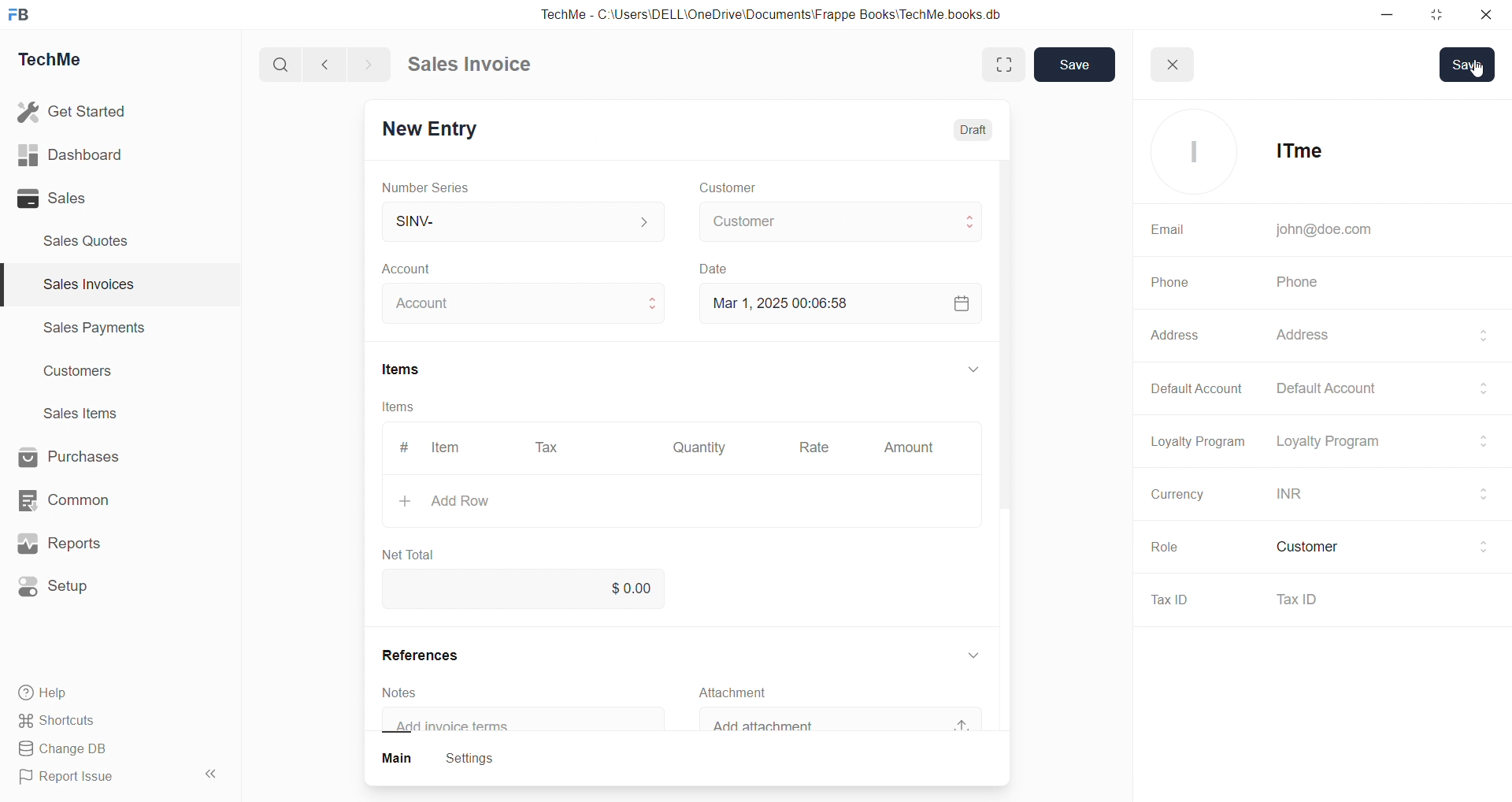 The image size is (1512, 802). I want to click on Quantity, so click(699, 443).